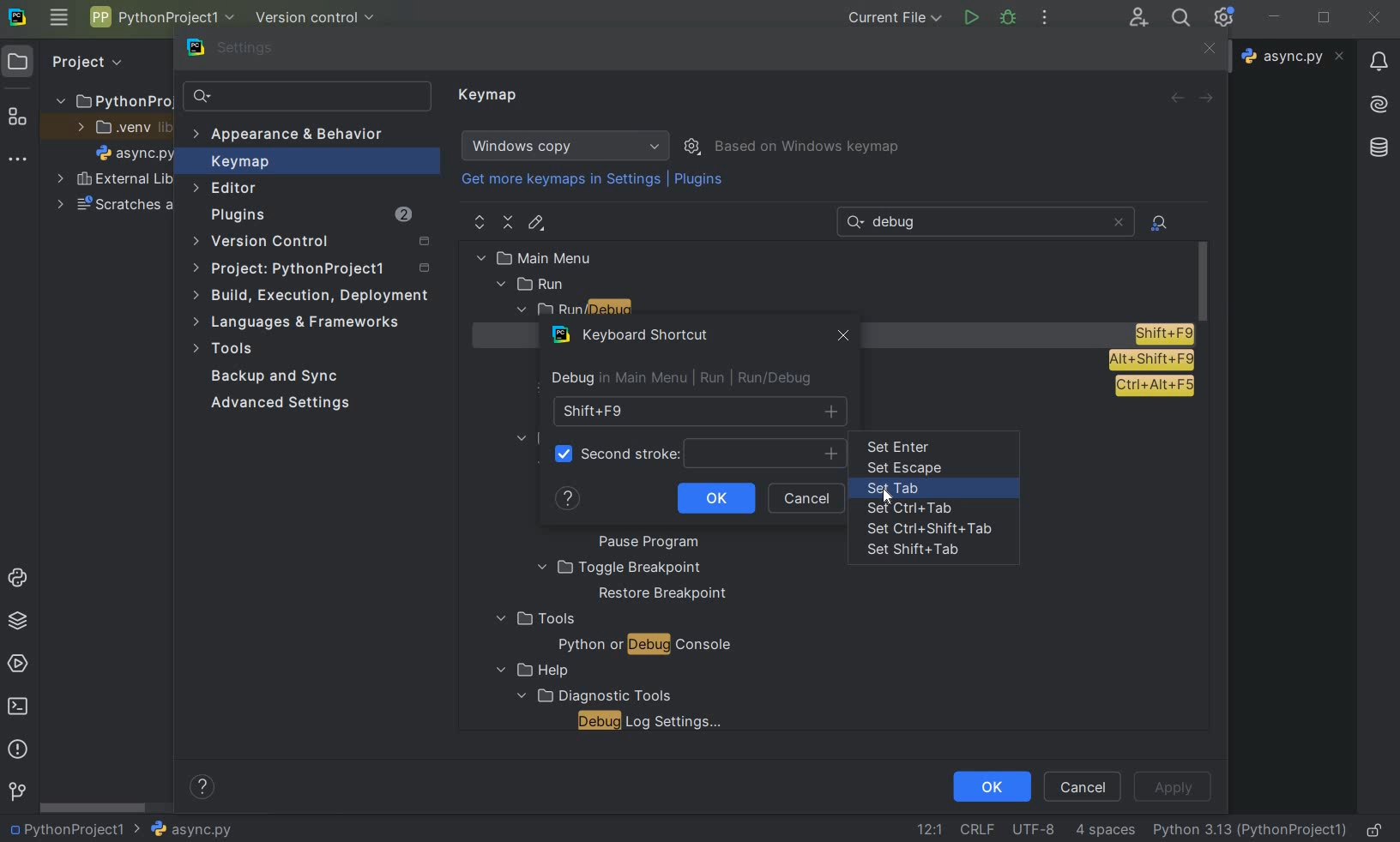 Image resolution: width=1400 pixels, height=842 pixels. Describe the element at coordinates (490, 96) in the screenshot. I see `keymap` at that location.